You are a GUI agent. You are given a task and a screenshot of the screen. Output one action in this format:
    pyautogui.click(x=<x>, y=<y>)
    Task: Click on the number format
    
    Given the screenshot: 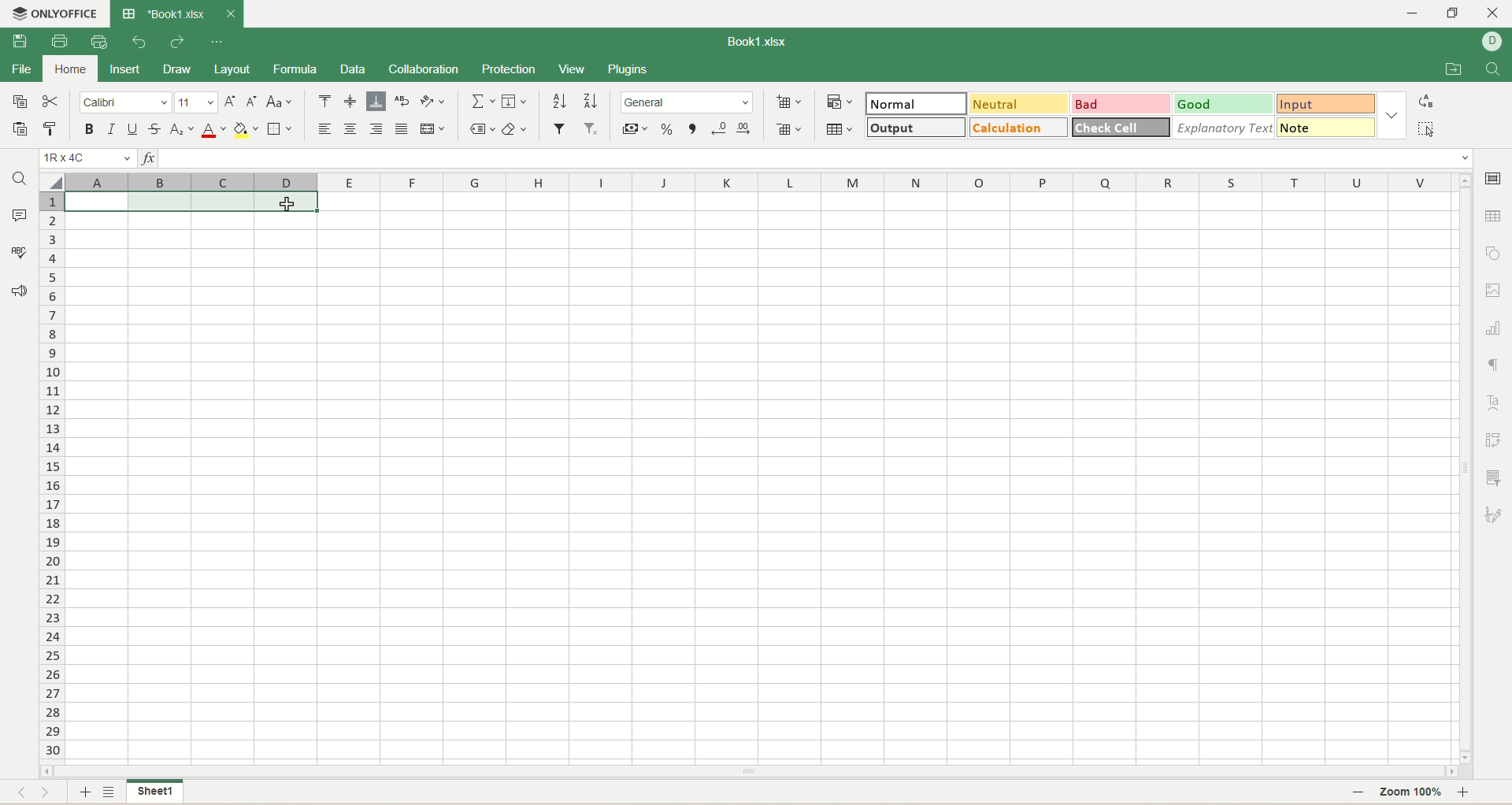 What is the action you would take?
    pyautogui.click(x=687, y=102)
    